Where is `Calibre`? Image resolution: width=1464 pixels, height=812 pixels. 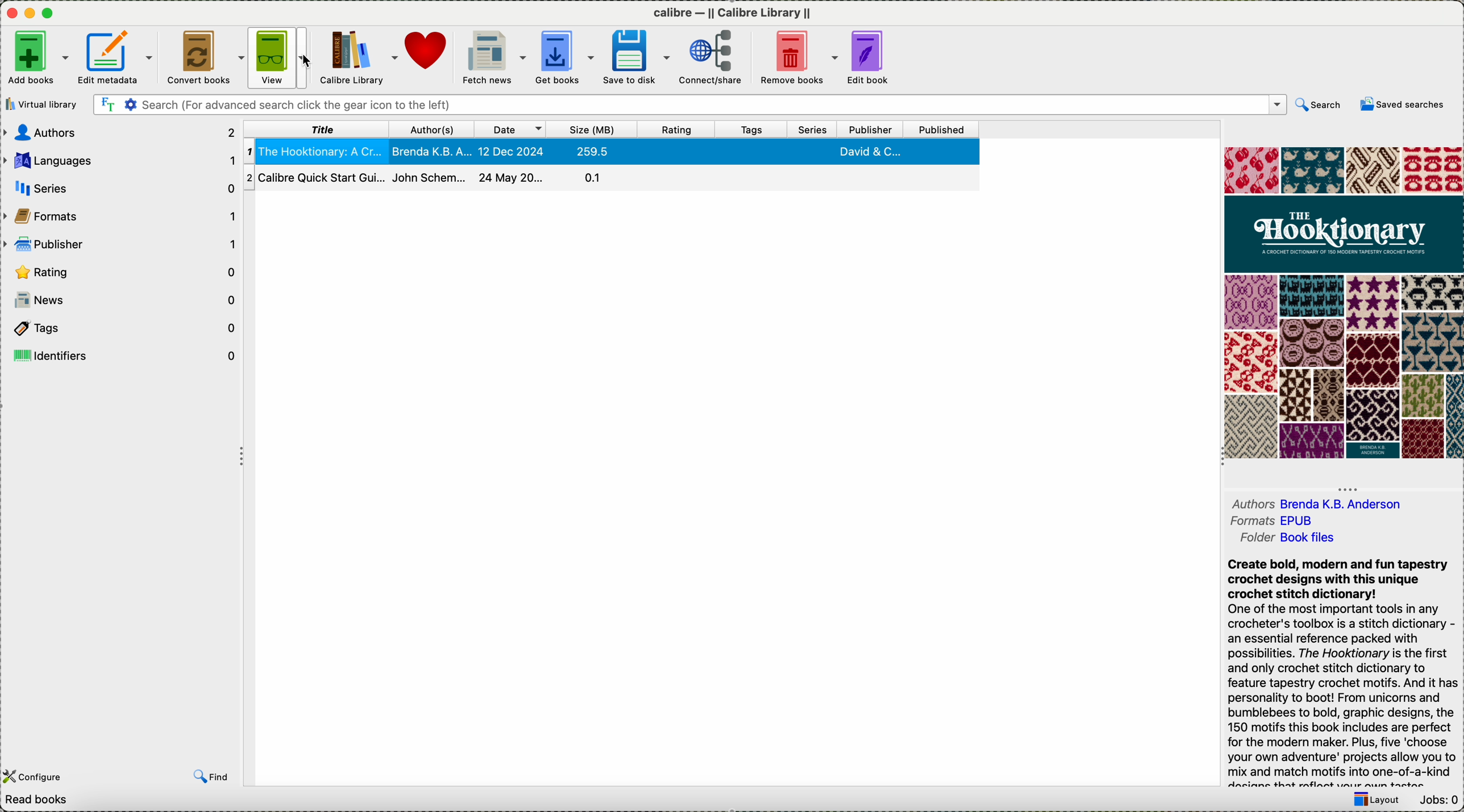 Calibre is located at coordinates (735, 13).